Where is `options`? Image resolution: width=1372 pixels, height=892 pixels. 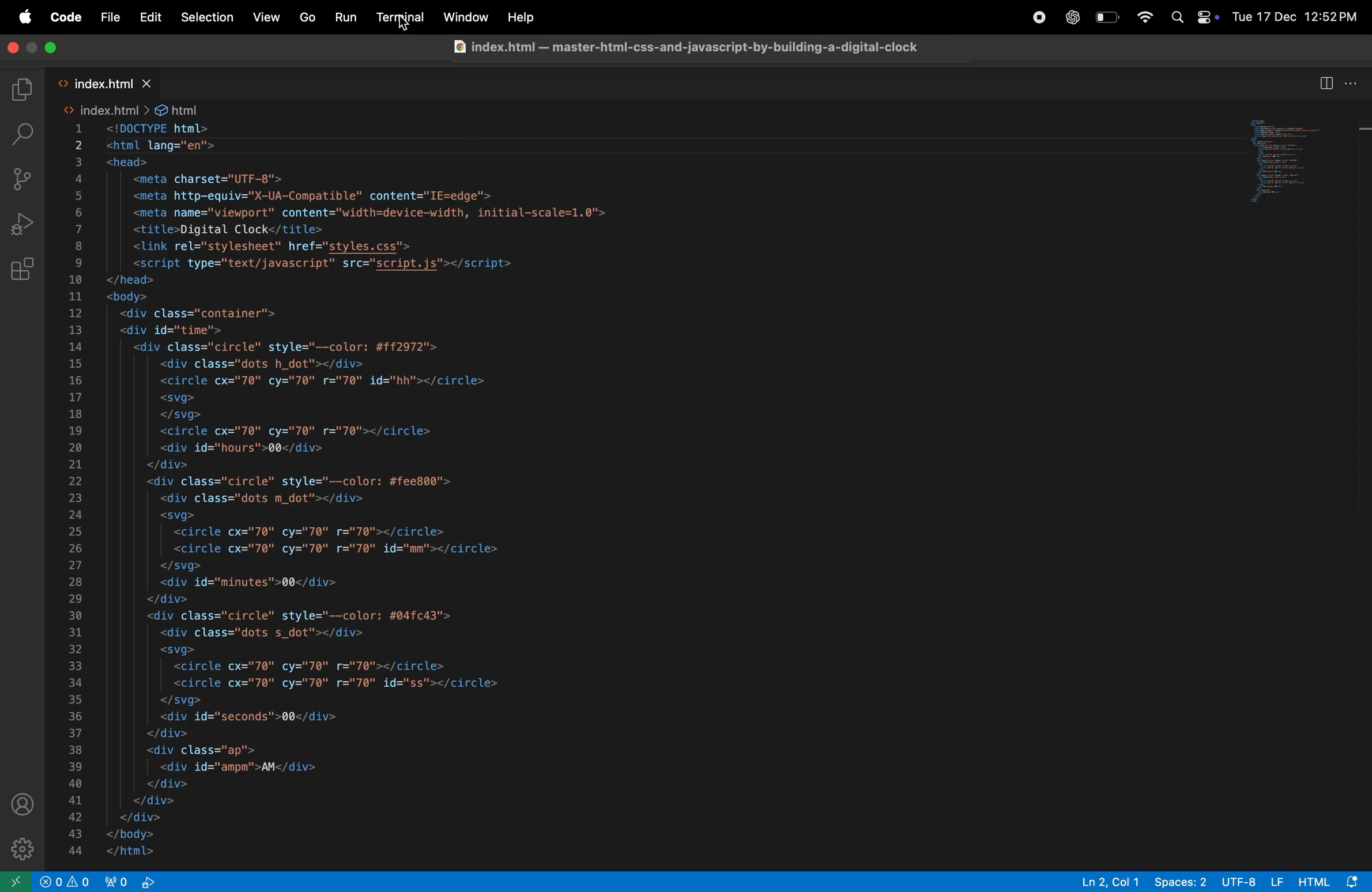 options is located at coordinates (1354, 83).